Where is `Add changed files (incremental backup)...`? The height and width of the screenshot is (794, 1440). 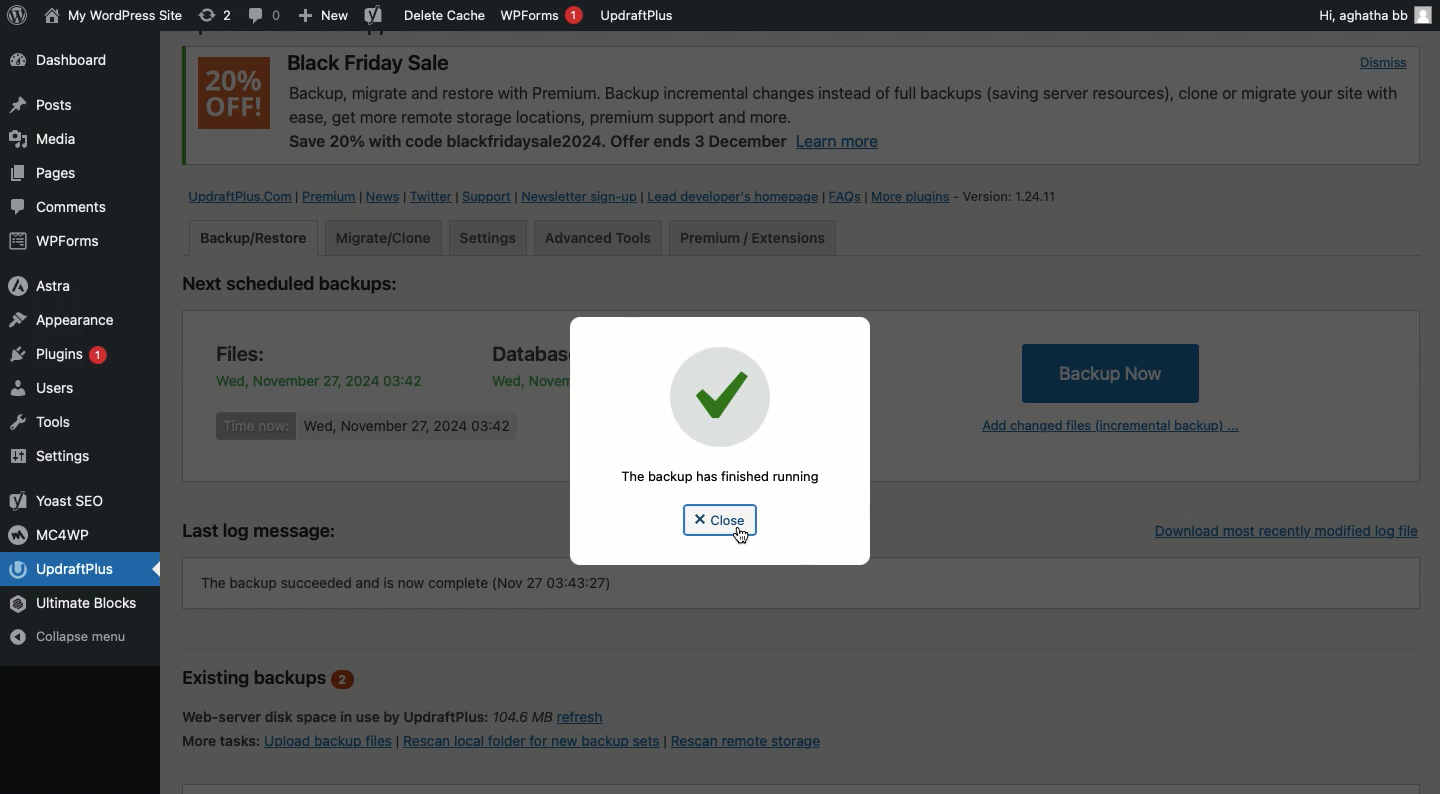
Add changed files (incremental backup)... is located at coordinates (1107, 429).